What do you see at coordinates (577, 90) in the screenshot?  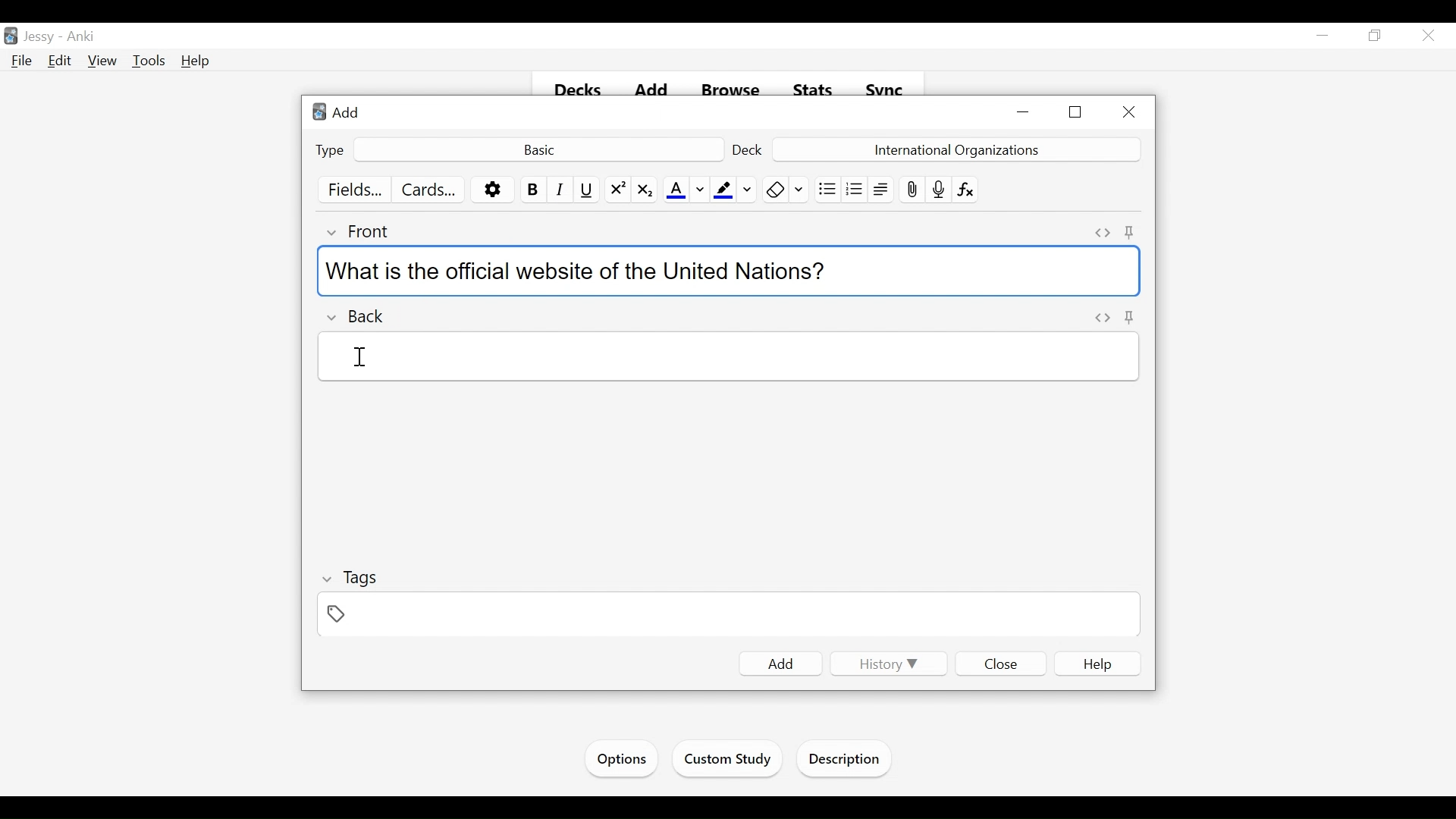 I see `Decks` at bounding box center [577, 90].